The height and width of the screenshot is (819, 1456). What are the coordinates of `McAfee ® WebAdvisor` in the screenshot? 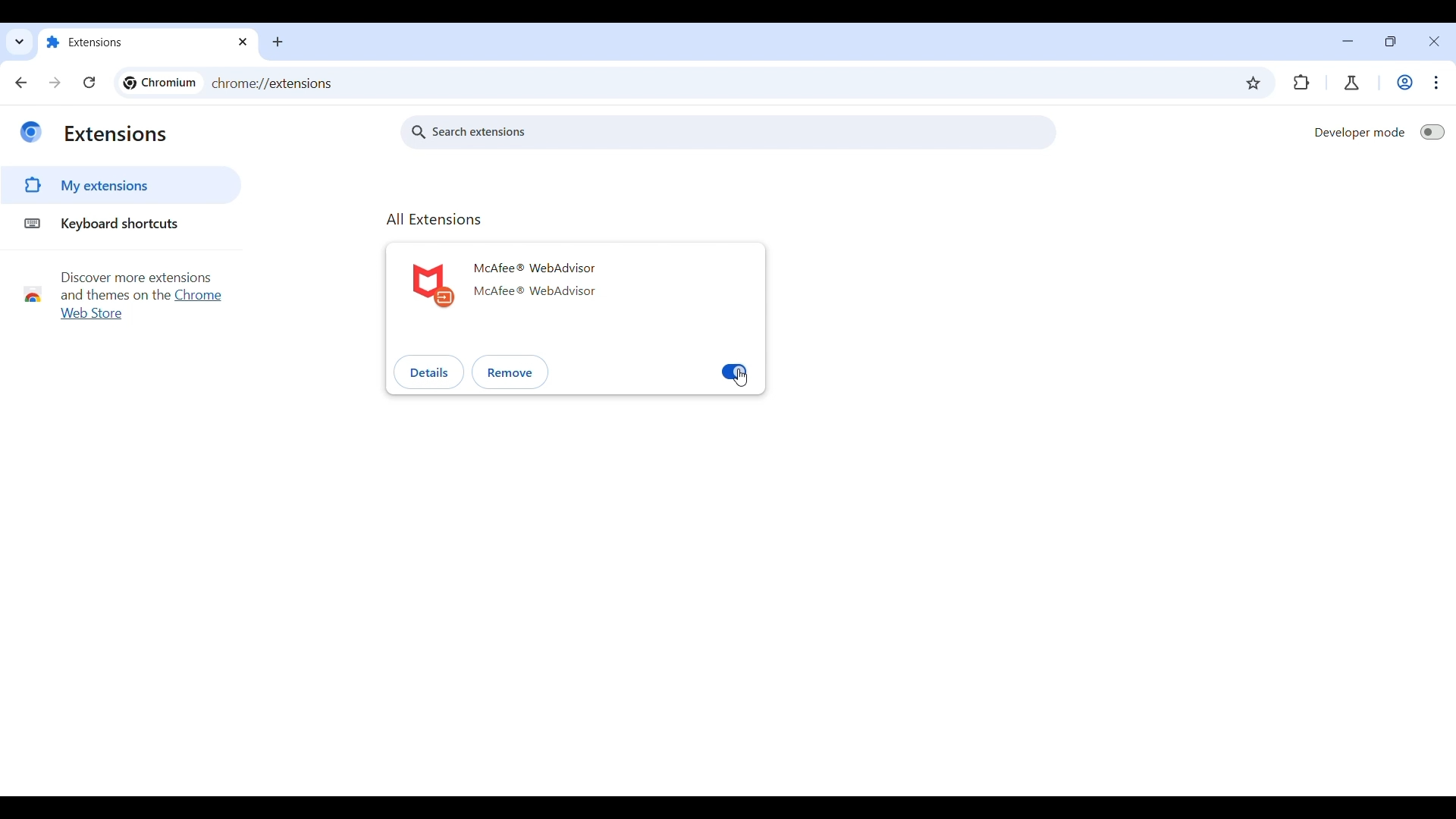 It's located at (535, 290).